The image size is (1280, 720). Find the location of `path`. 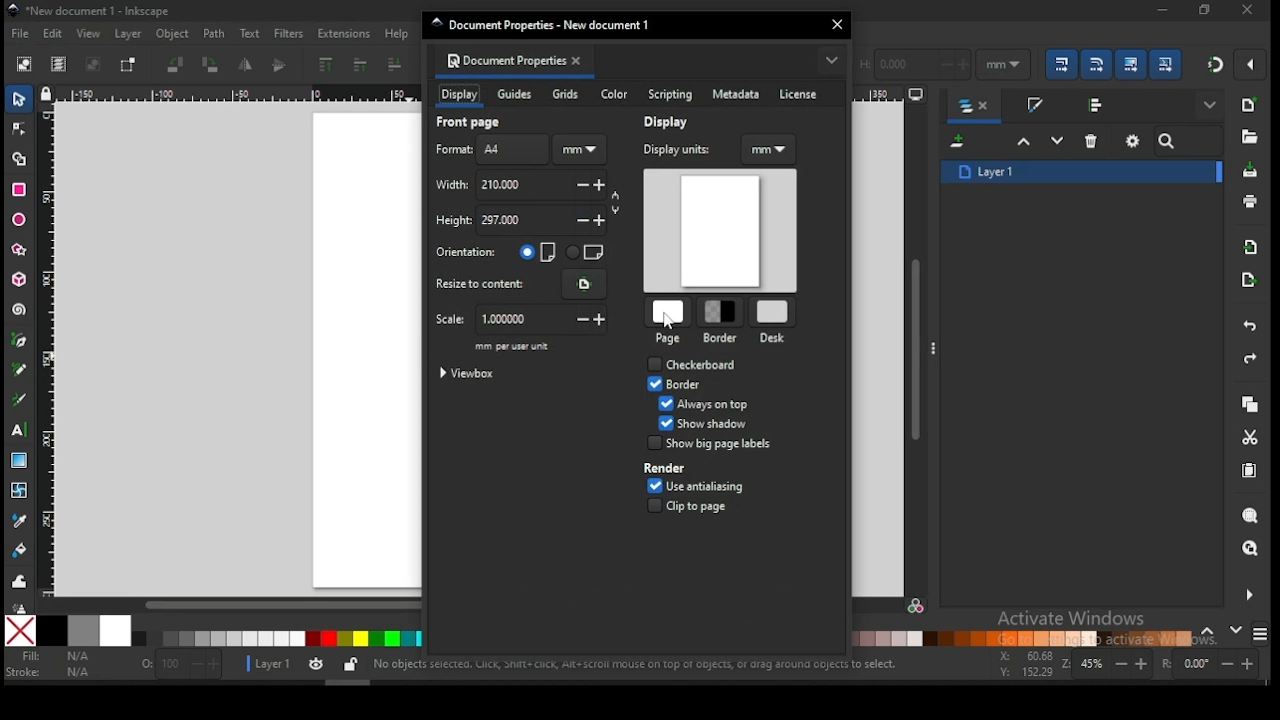

path is located at coordinates (214, 34).